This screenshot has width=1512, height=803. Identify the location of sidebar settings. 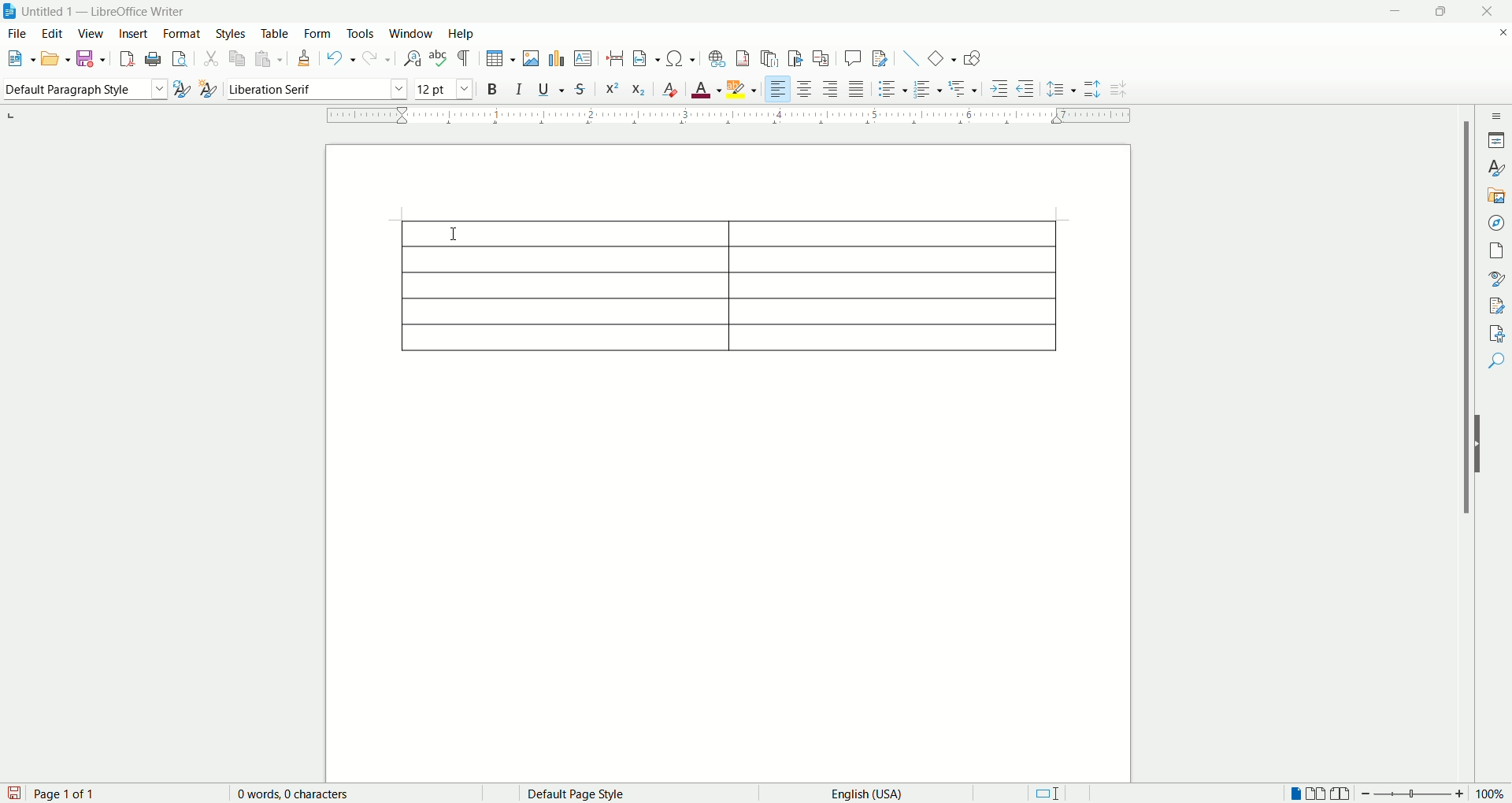
(1496, 115).